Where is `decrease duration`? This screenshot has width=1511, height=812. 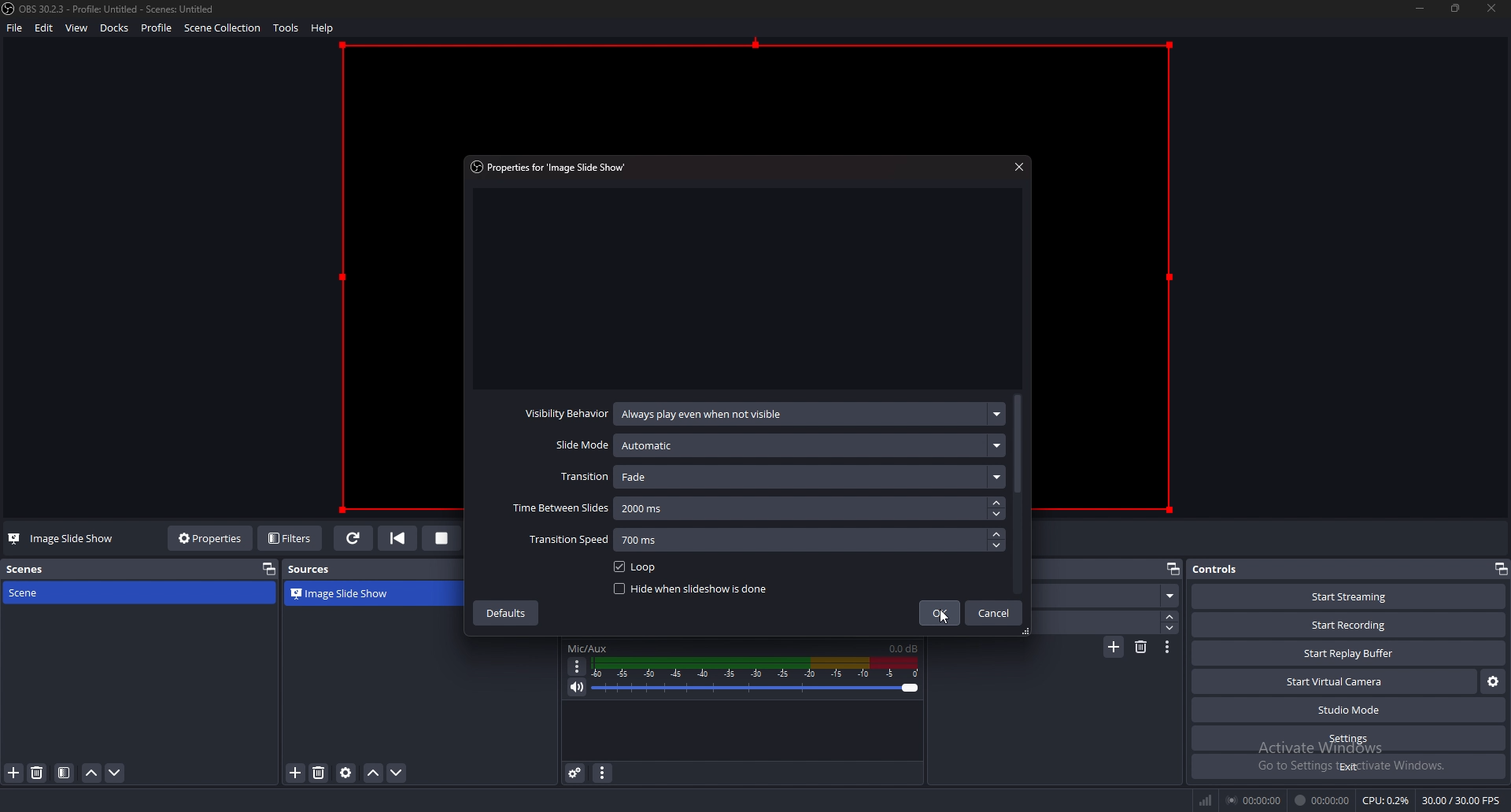
decrease duration is located at coordinates (1170, 629).